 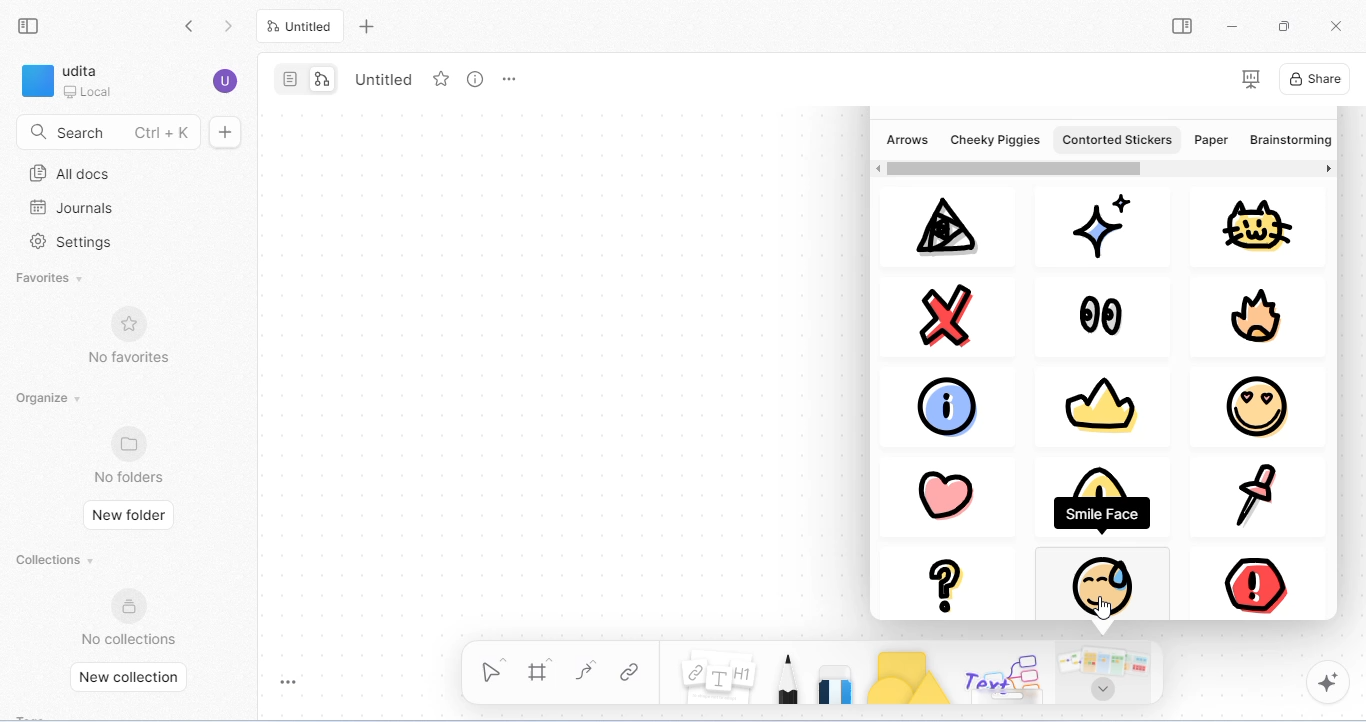 What do you see at coordinates (57, 559) in the screenshot?
I see `collections` at bounding box center [57, 559].